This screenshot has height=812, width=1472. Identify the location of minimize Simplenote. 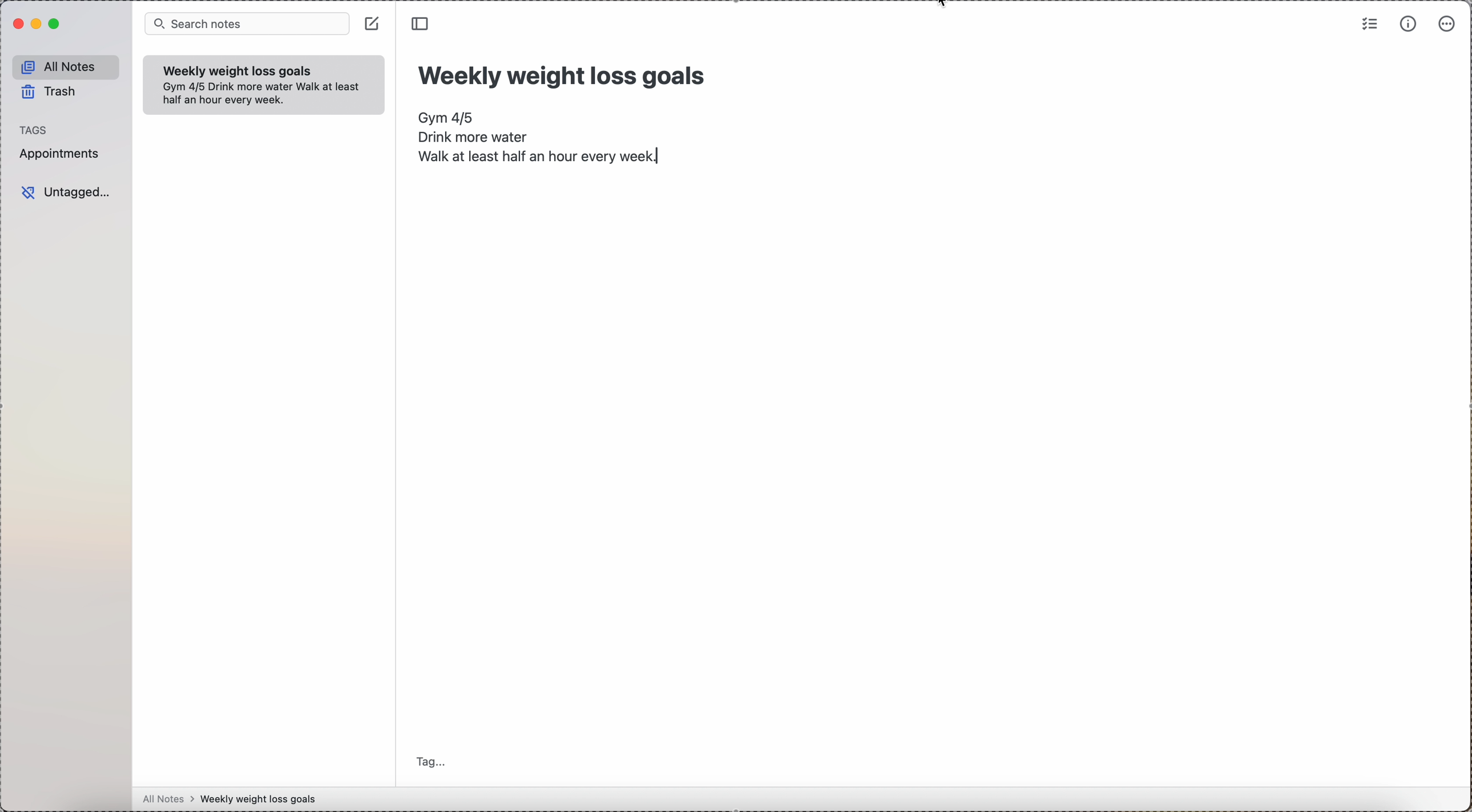
(38, 23).